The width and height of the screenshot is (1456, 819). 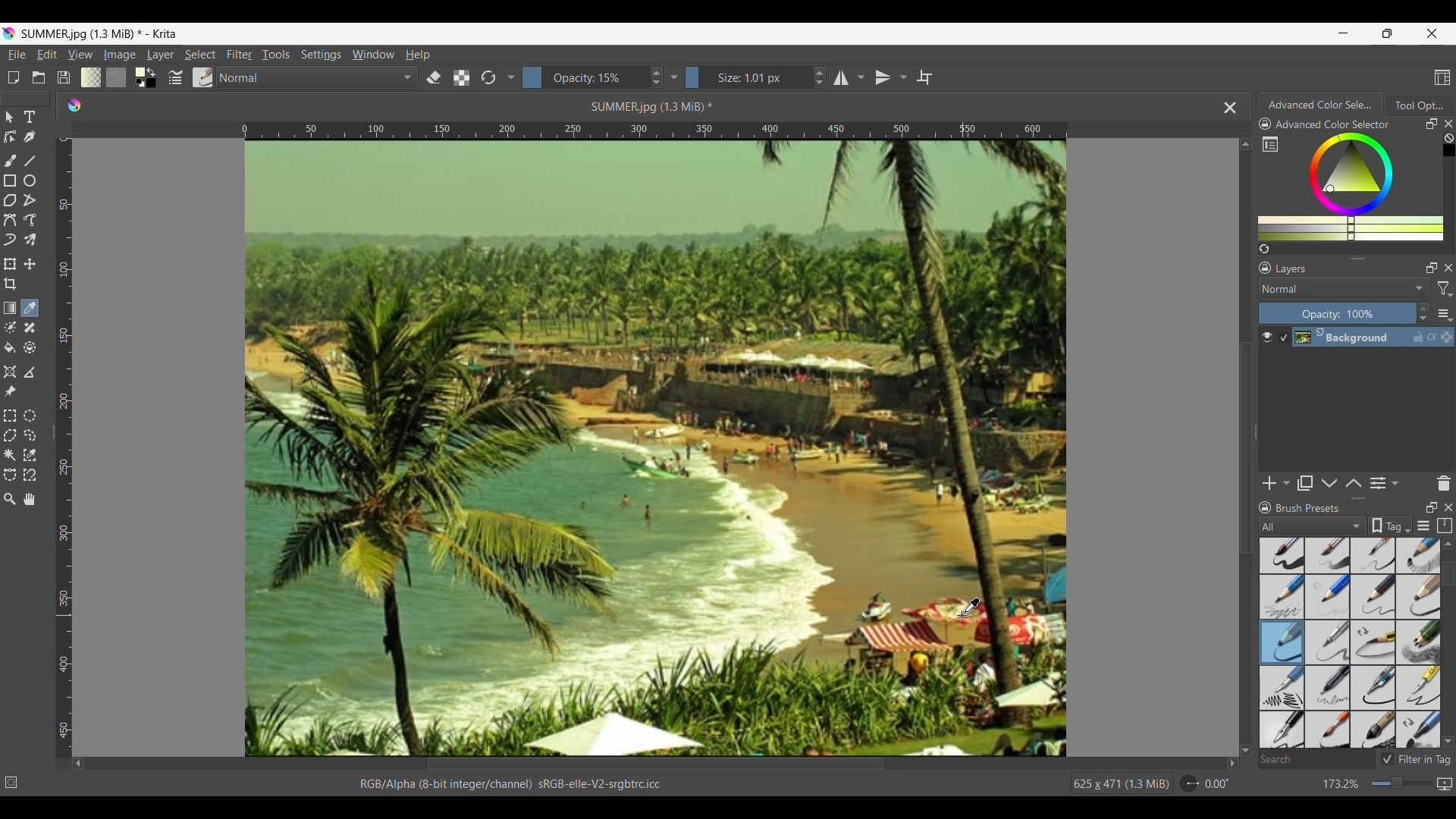 I want to click on Normal, so click(x=1344, y=288).